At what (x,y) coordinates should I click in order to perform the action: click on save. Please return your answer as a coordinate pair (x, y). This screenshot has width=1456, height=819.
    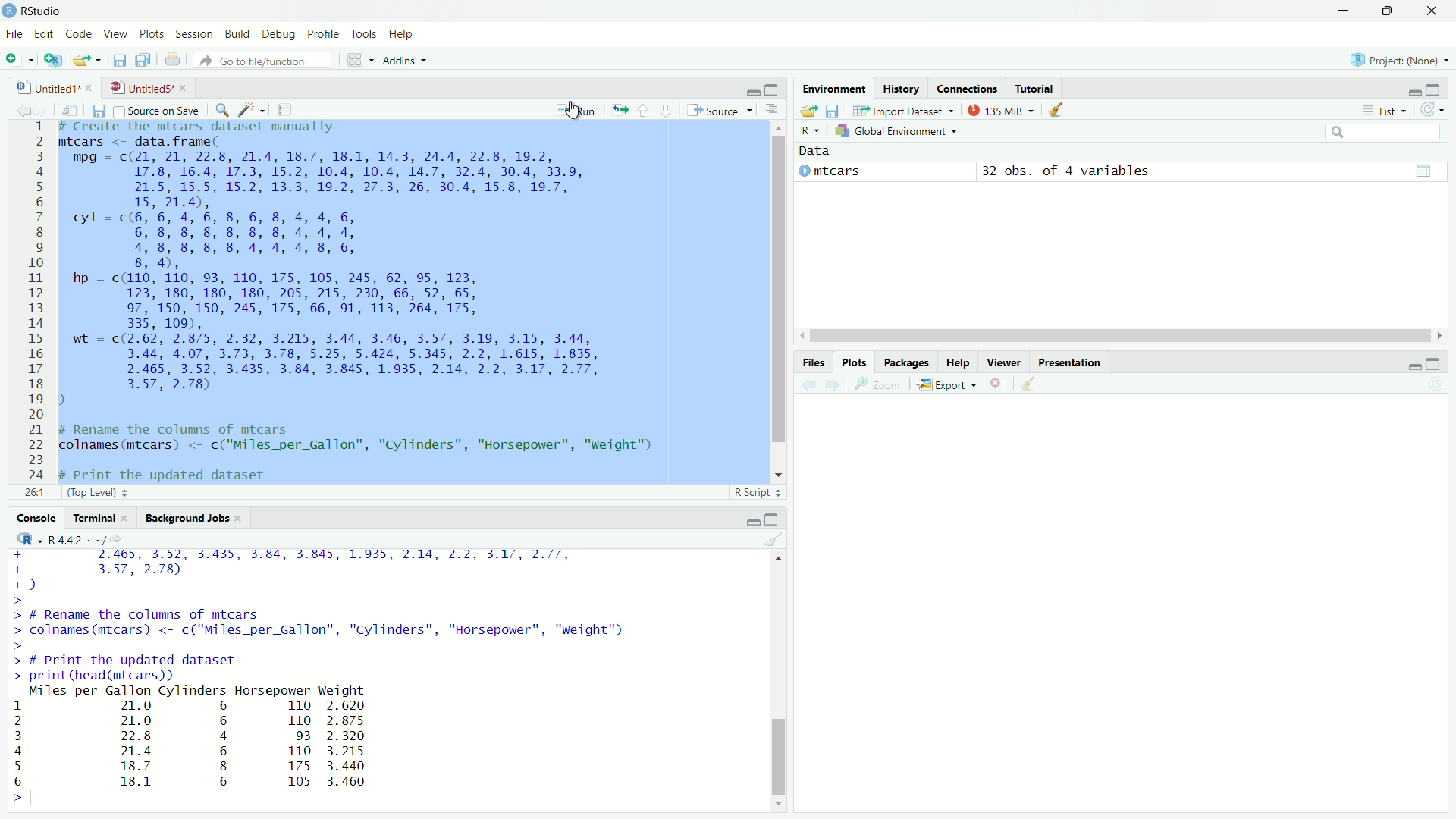
    Looking at the image, I should click on (98, 109).